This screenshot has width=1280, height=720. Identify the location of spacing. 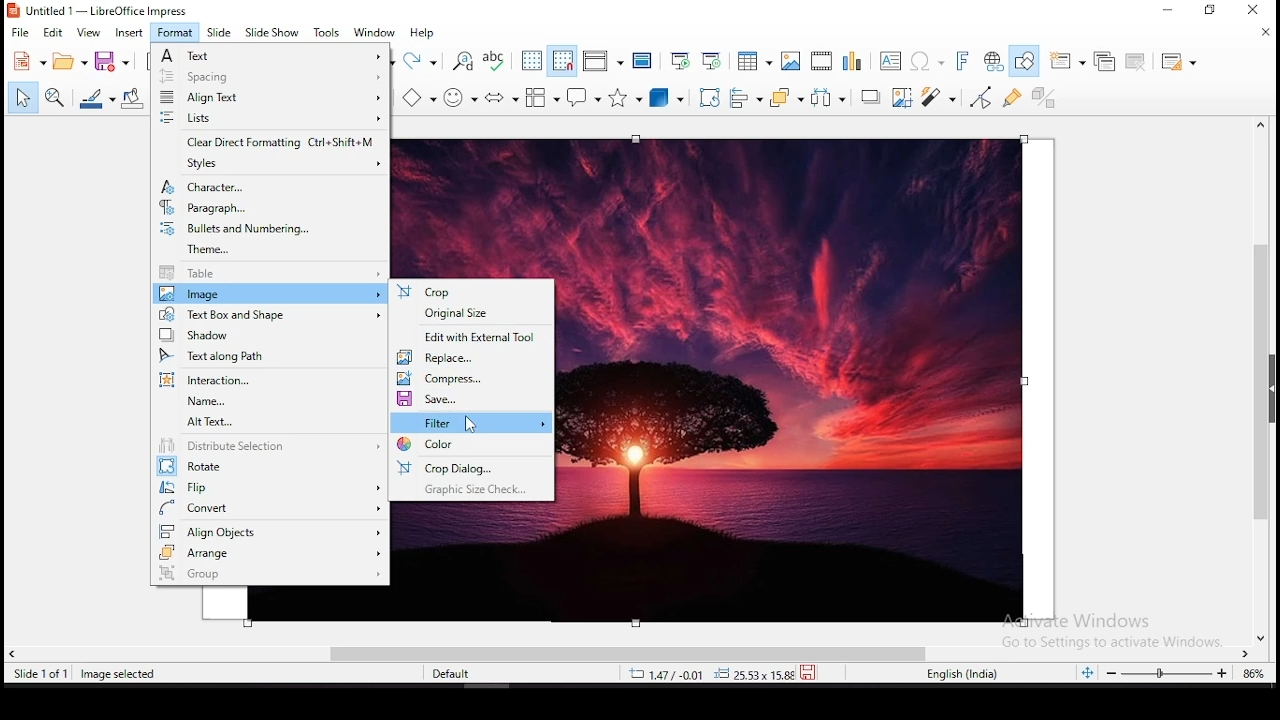
(270, 77).